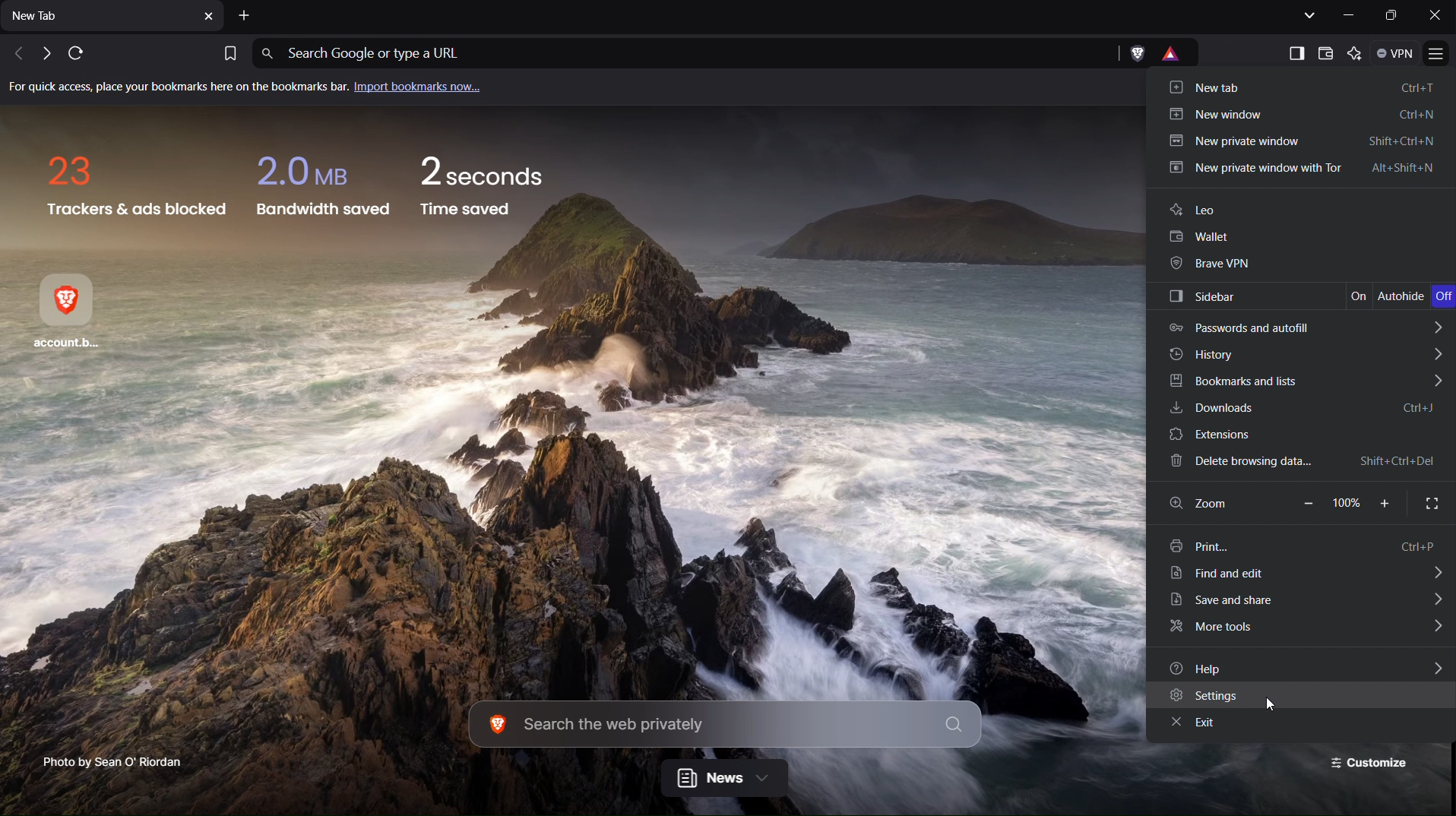 This screenshot has width=1456, height=816. What do you see at coordinates (1303, 603) in the screenshot?
I see `Save and share` at bounding box center [1303, 603].